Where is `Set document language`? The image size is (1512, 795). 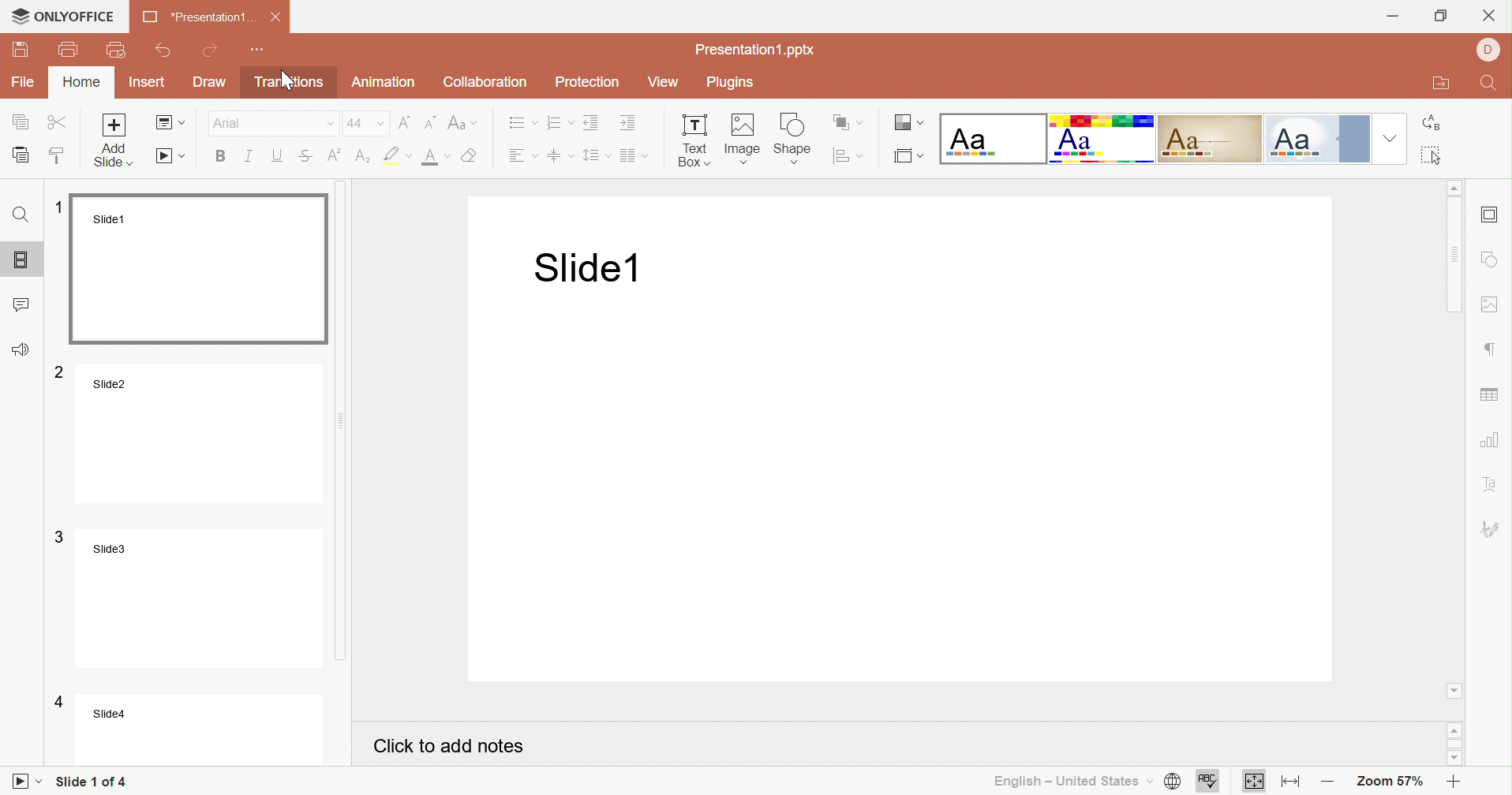
Set document language is located at coordinates (1171, 782).